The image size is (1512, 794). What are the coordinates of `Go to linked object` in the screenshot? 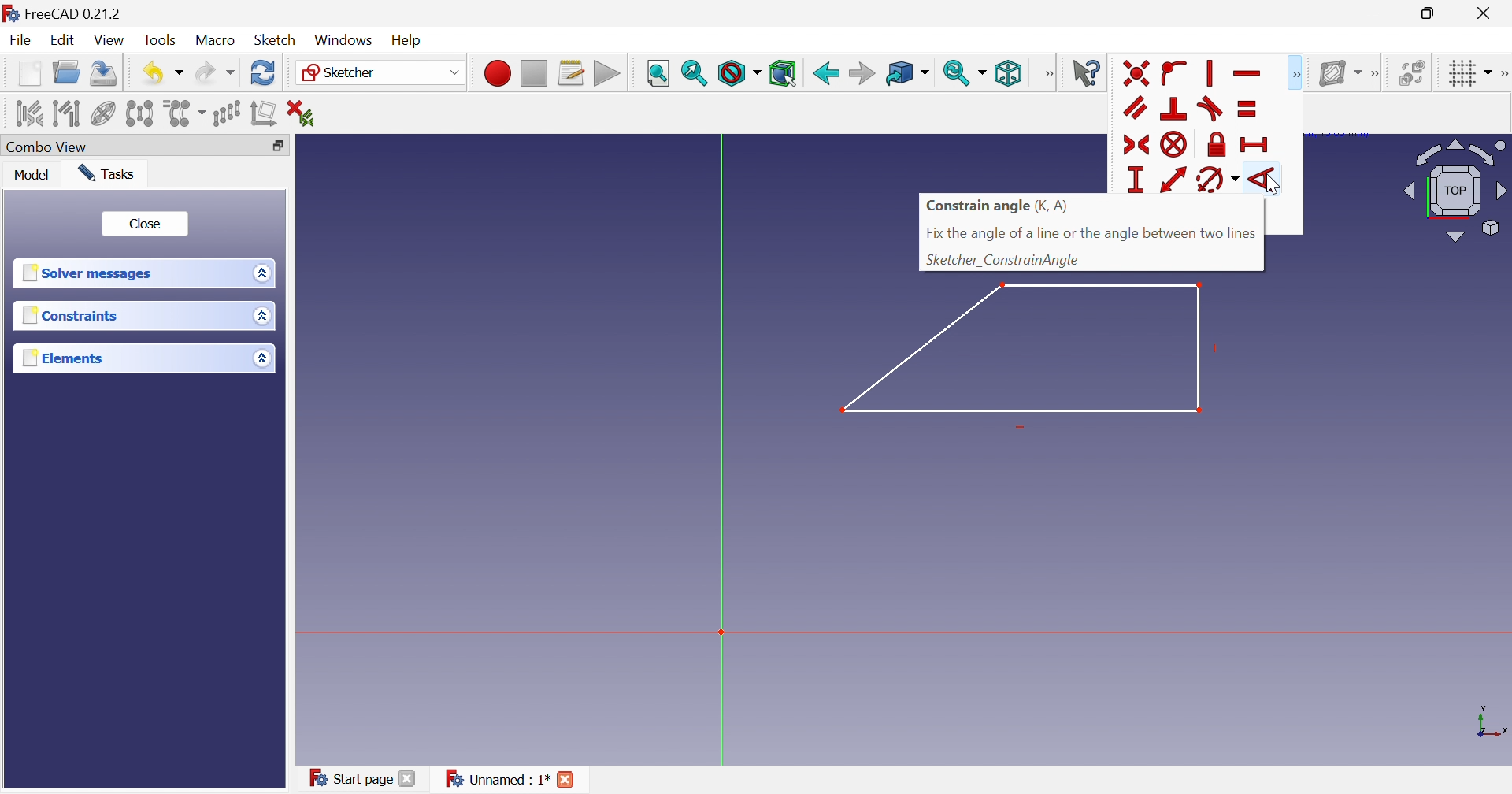 It's located at (899, 72).